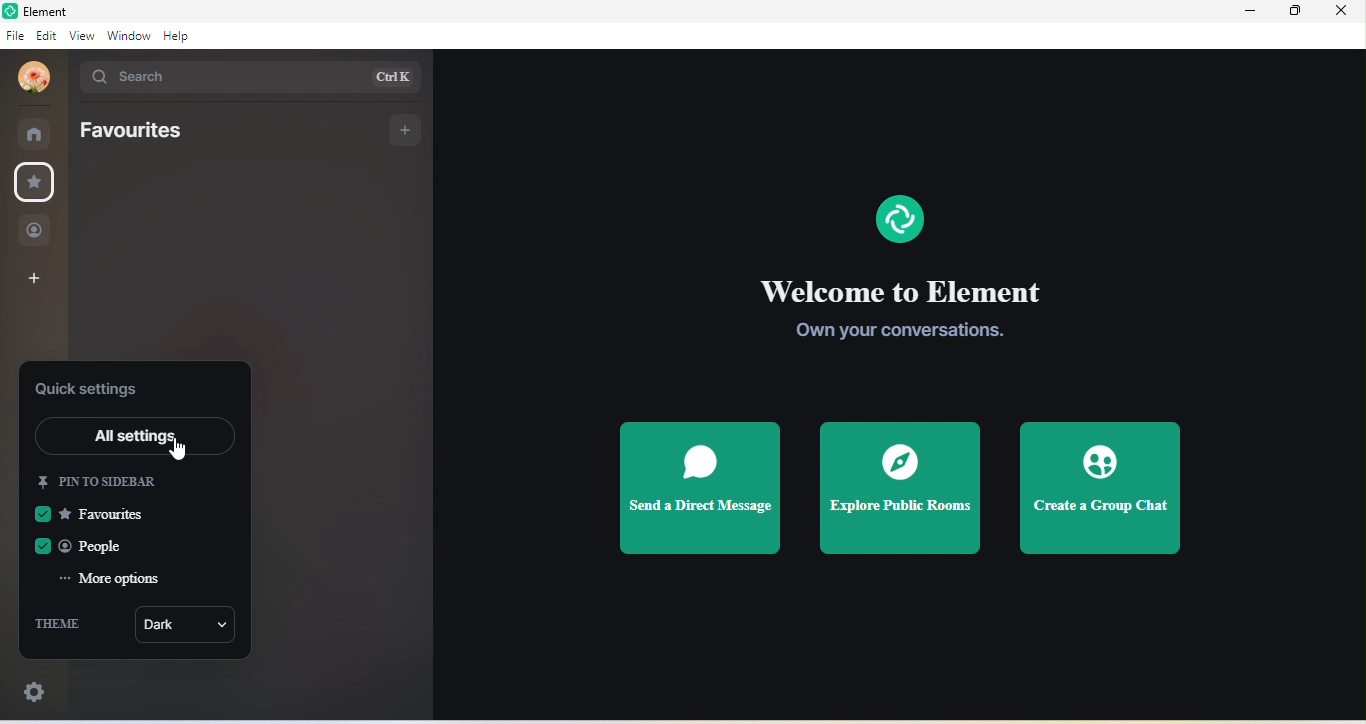  Describe the element at coordinates (182, 626) in the screenshot. I see `dark` at that location.